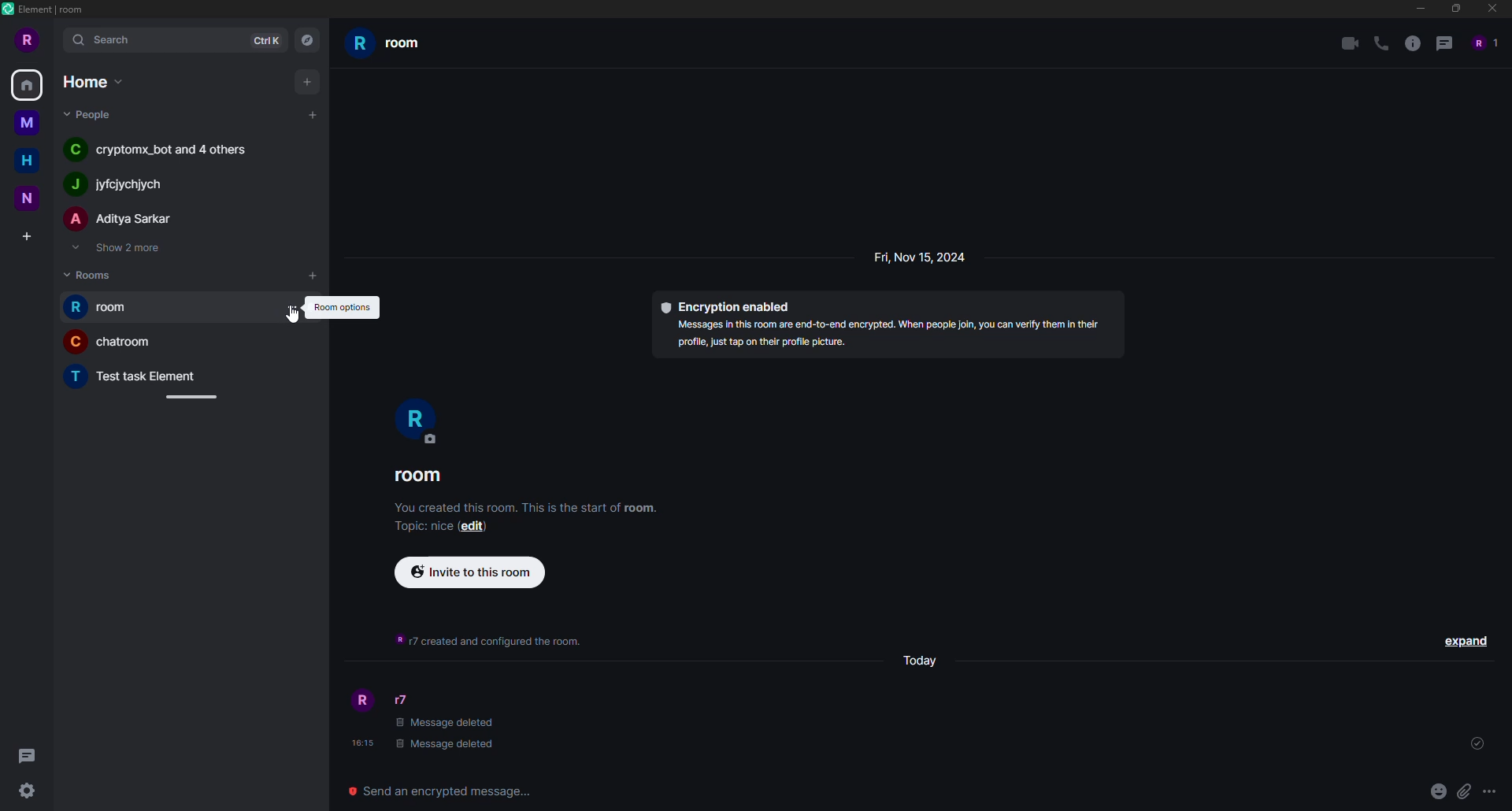 This screenshot has width=1512, height=811. Describe the element at coordinates (343, 306) in the screenshot. I see `room options` at that location.